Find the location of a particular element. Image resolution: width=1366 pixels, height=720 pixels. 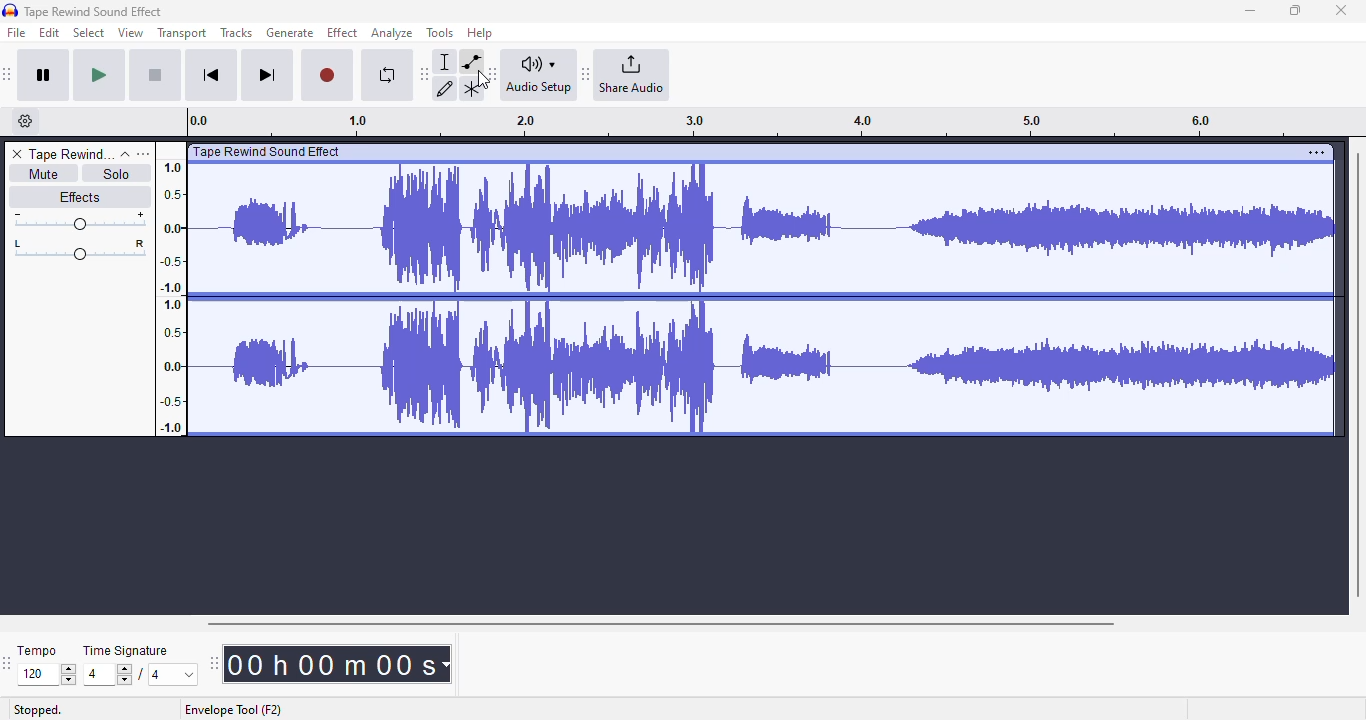

edit is located at coordinates (50, 33).